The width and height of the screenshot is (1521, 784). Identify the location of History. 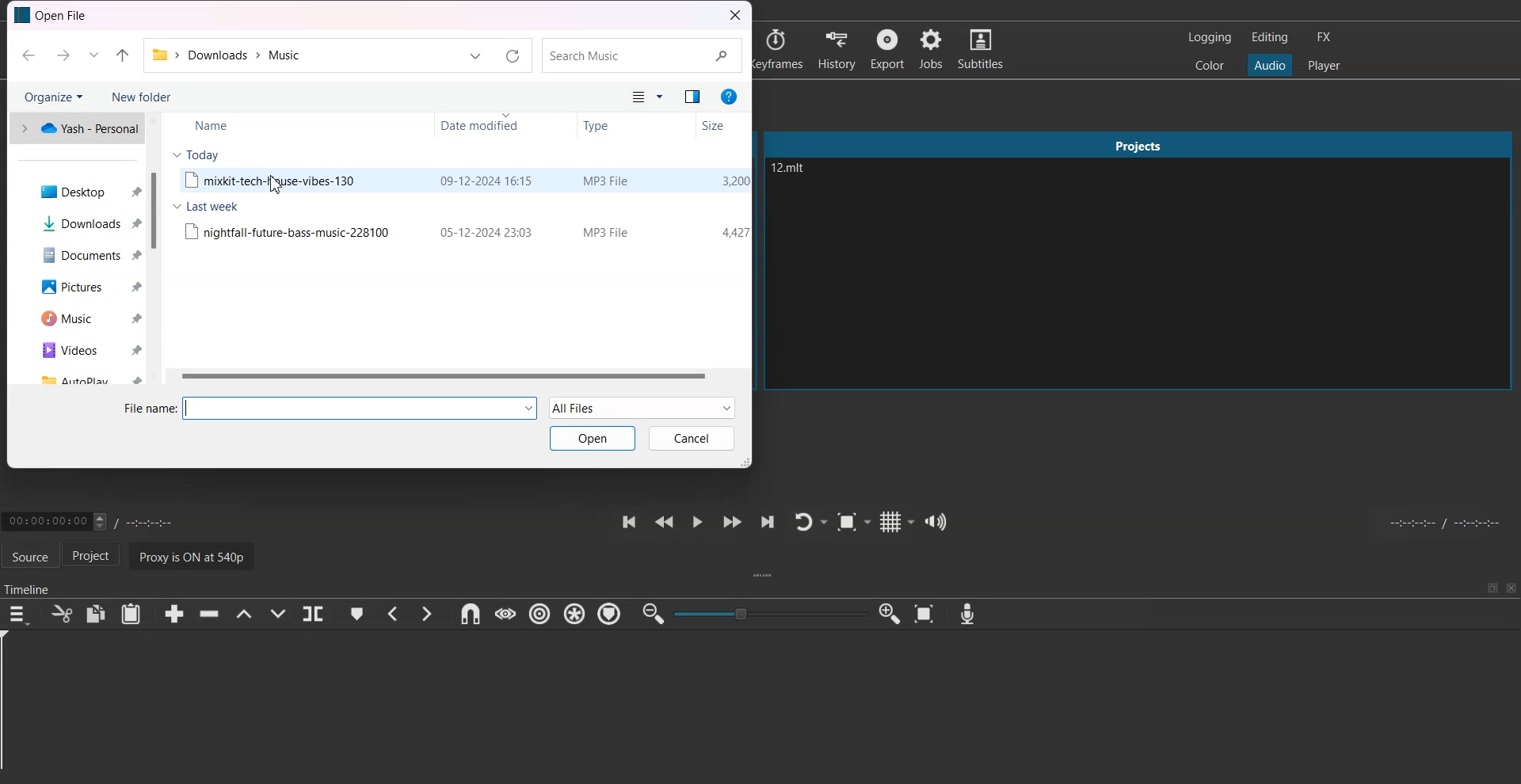
(836, 48).